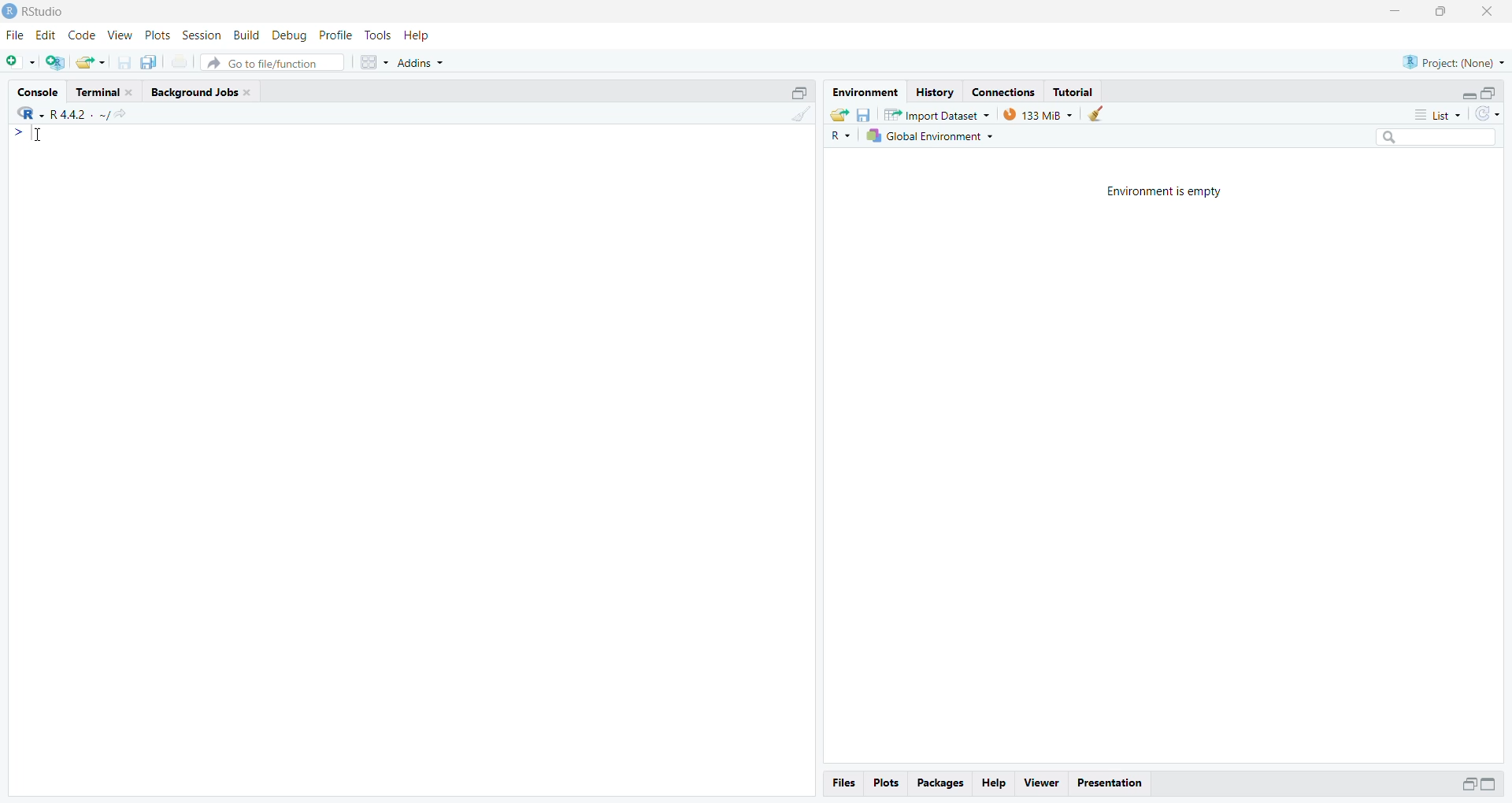  I want to click on 133  MB used by R session, so click(1039, 117).